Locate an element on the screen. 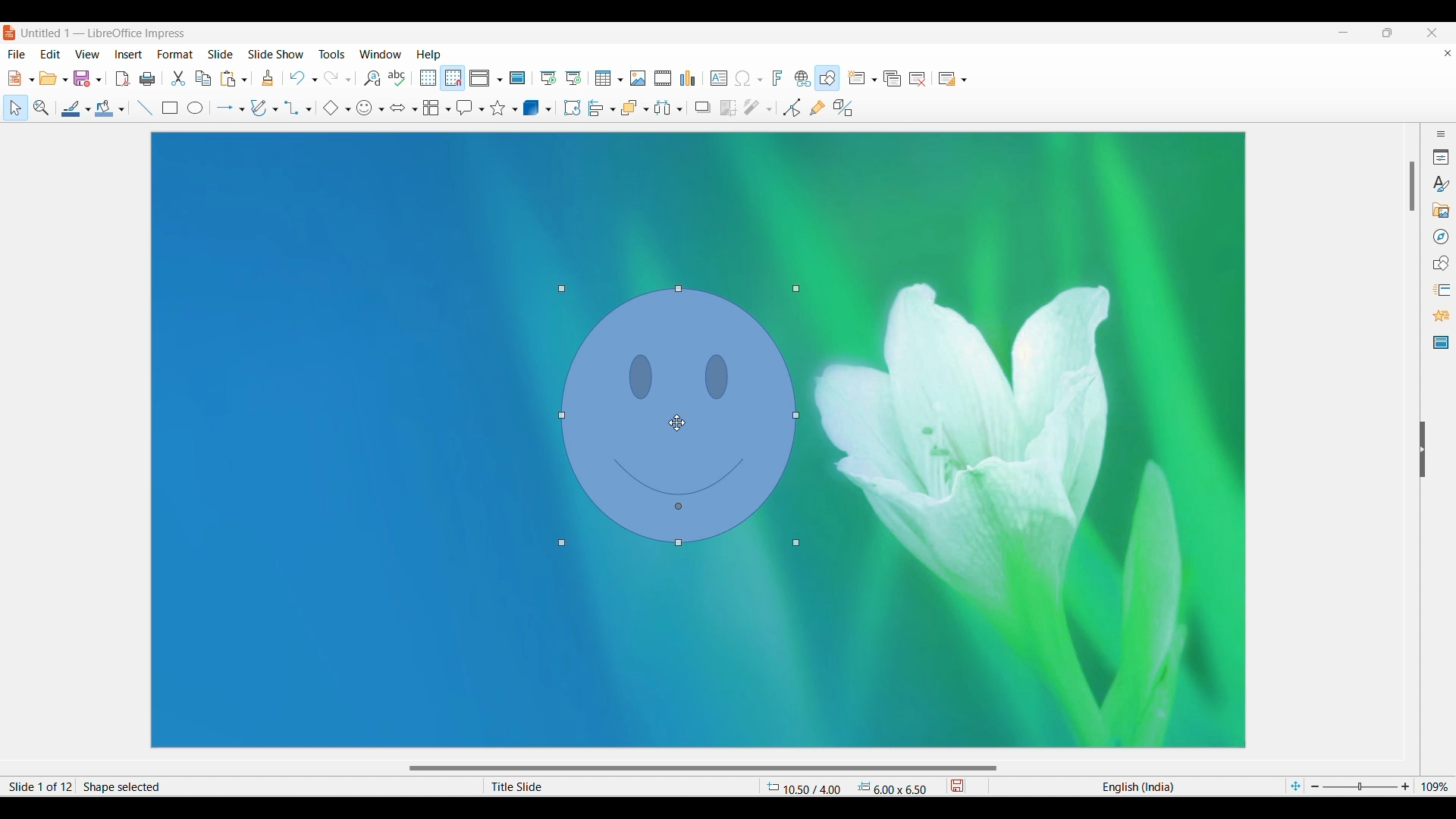 The width and height of the screenshot is (1456, 819). 10.50 / 4.00 is located at coordinates (804, 786).